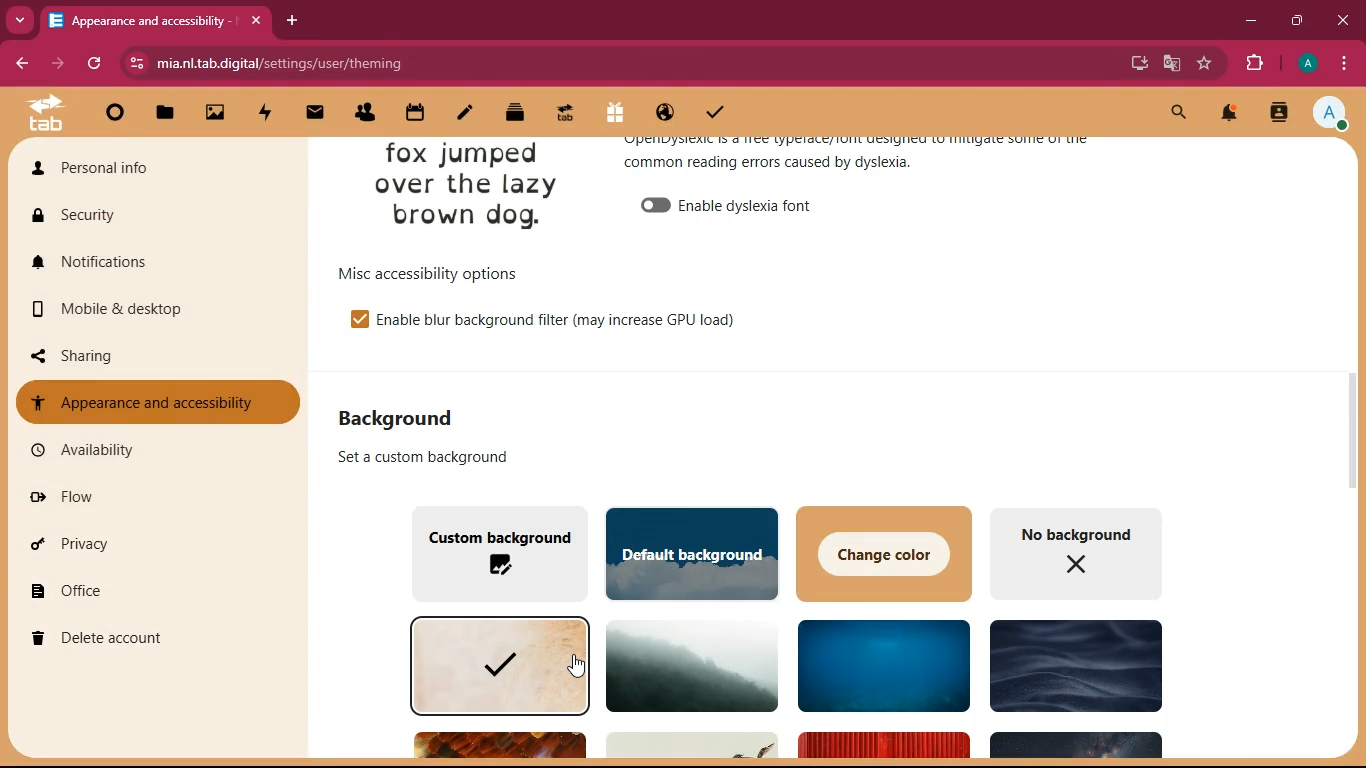  What do you see at coordinates (94, 63) in the screenshot?
I see `refresh` at bounding box center [94, 63].